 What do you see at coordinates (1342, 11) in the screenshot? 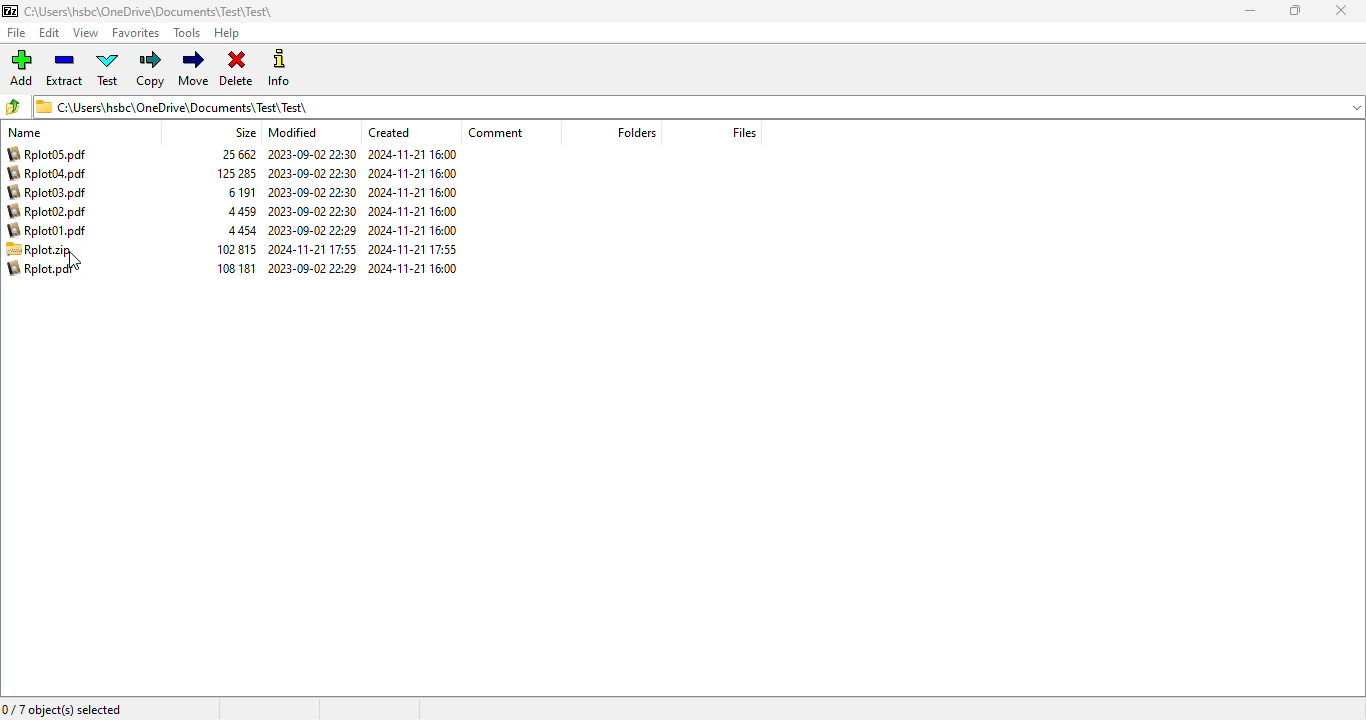
I see `close` at bounding box center [1342, 11].